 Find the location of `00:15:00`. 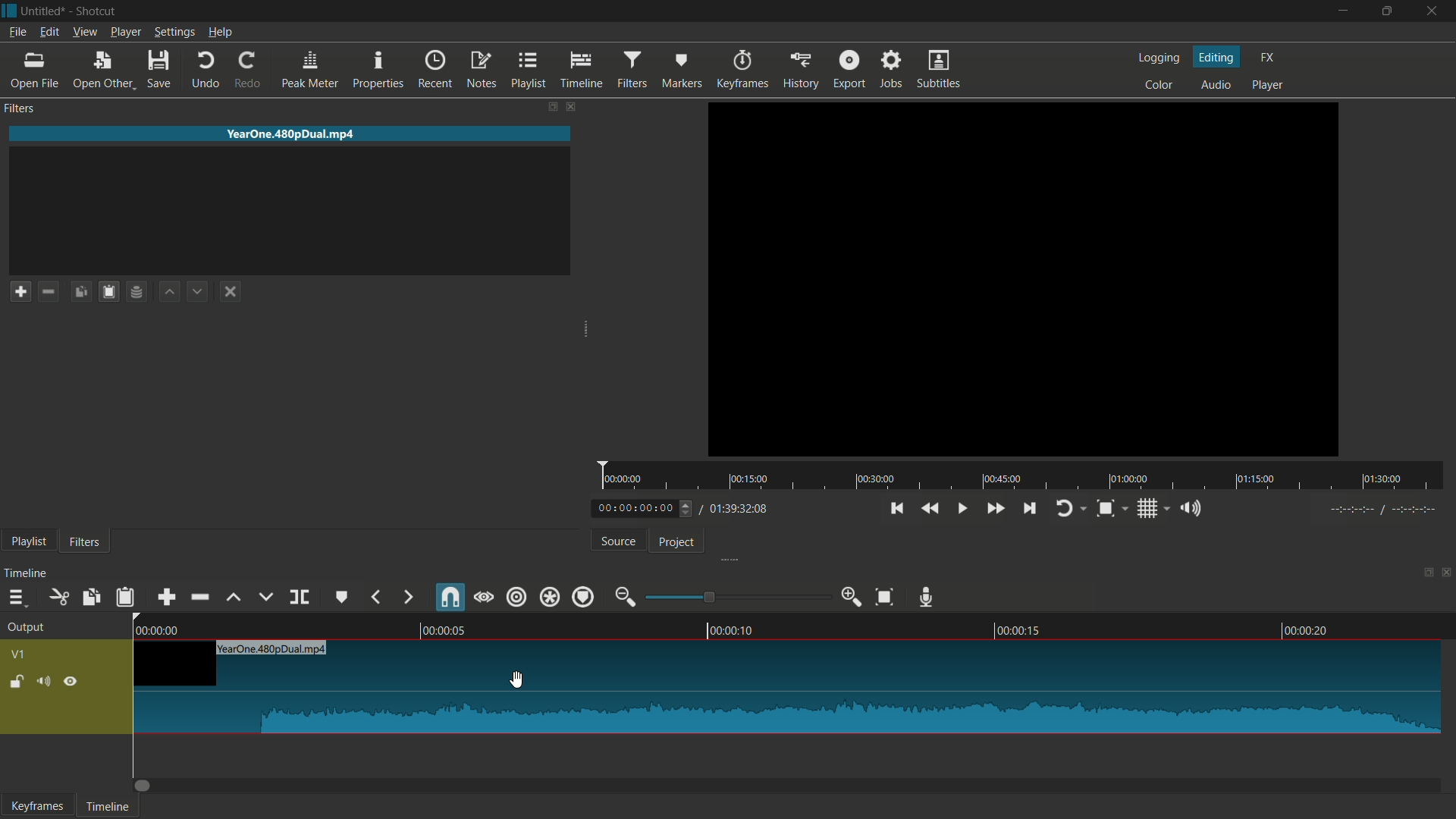

00:15:00 is located at coordinates (752, 480).